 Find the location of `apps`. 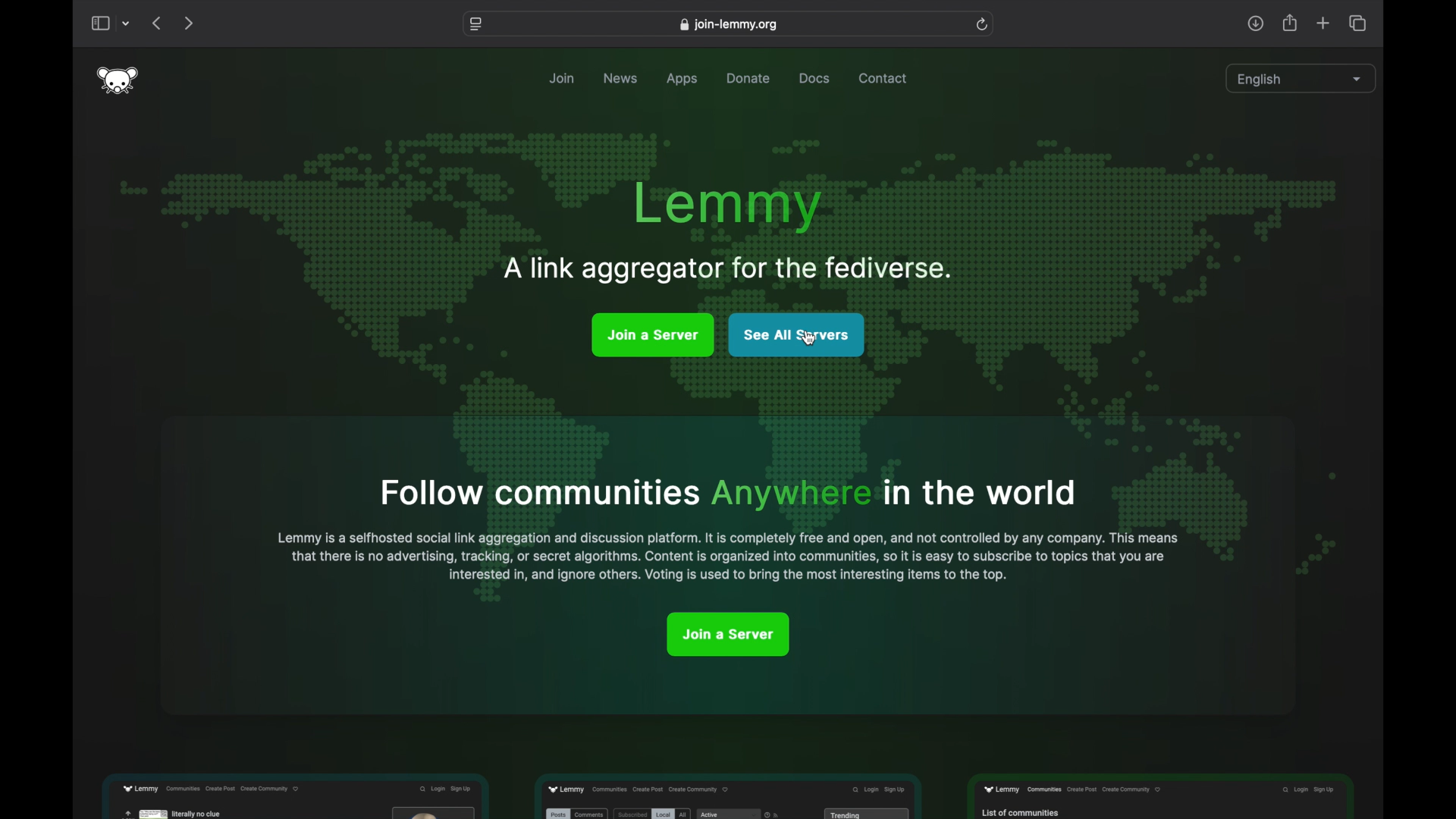

apps is located at coordinates (682, 79).